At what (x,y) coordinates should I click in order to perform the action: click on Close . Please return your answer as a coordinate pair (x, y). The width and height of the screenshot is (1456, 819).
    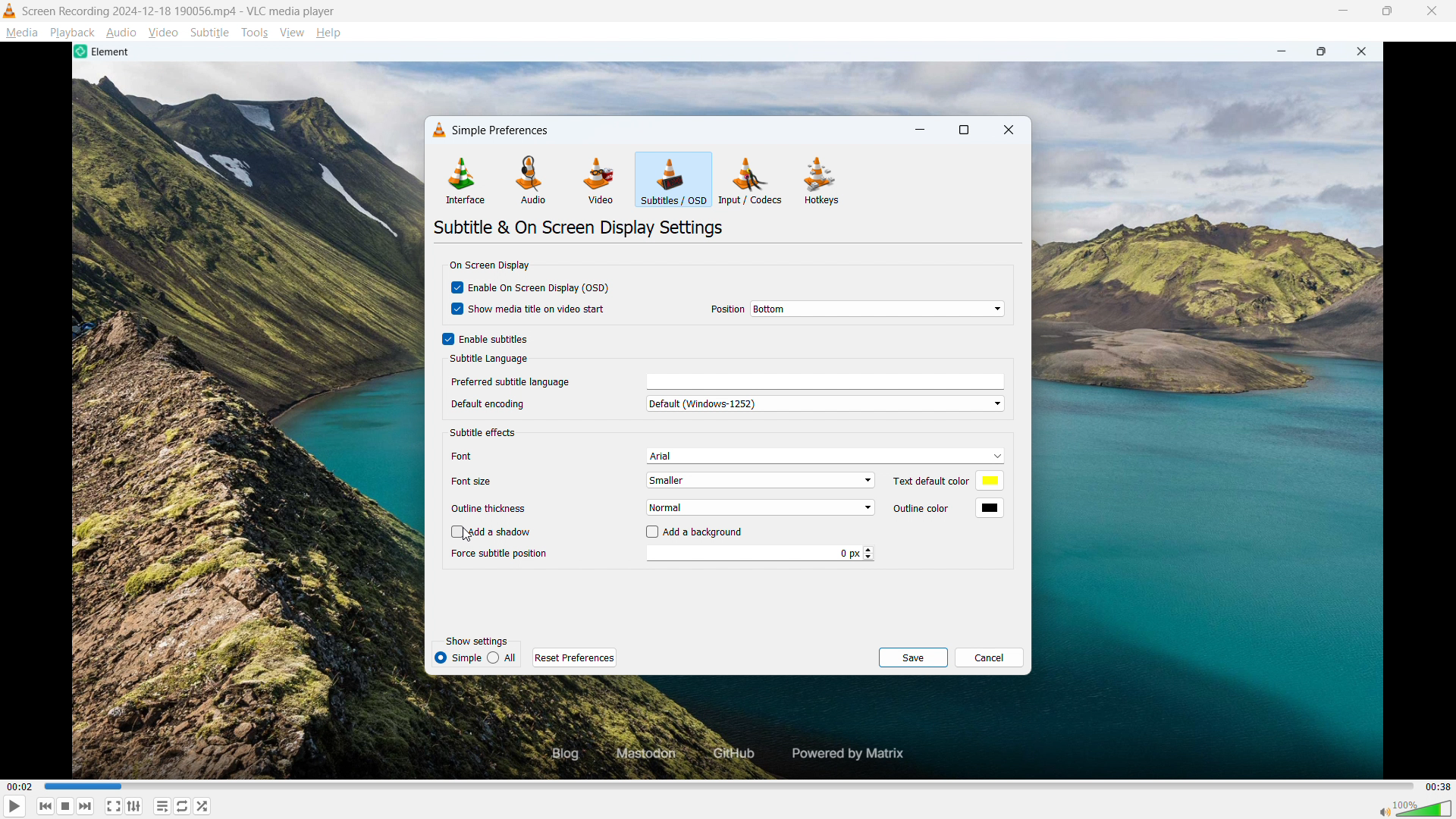
    Looking at the image, I should click on (1432, 11).